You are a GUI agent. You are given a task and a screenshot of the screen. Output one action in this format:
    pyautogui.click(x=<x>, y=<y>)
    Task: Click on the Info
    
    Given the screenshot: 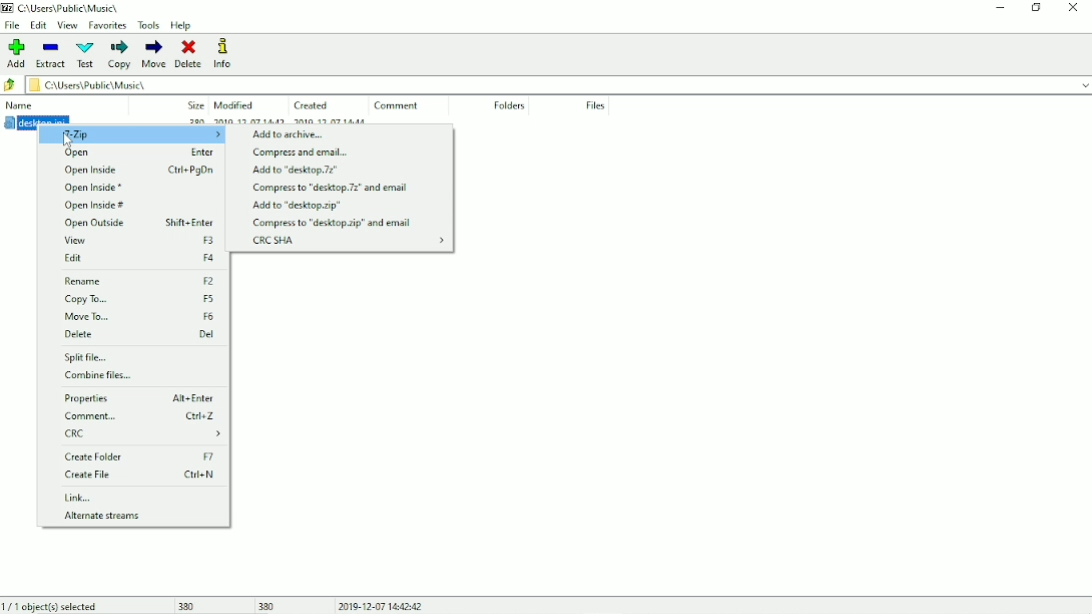 What is the action you would take?
    pyautogui.click(x=222, y=53)
    